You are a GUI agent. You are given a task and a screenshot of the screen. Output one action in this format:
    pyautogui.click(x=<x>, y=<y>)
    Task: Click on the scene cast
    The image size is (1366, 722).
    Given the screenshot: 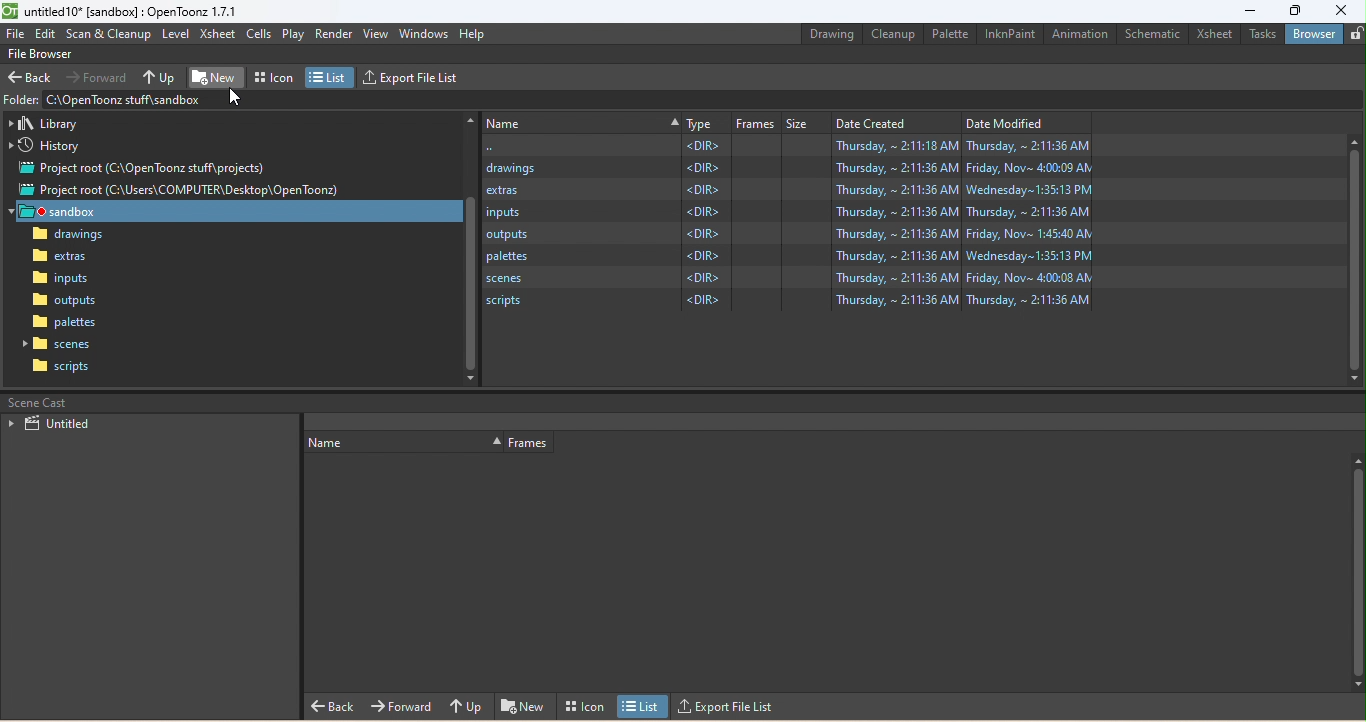 What is the action you would take?
    pyautogui.click(x=36, y=402)
    